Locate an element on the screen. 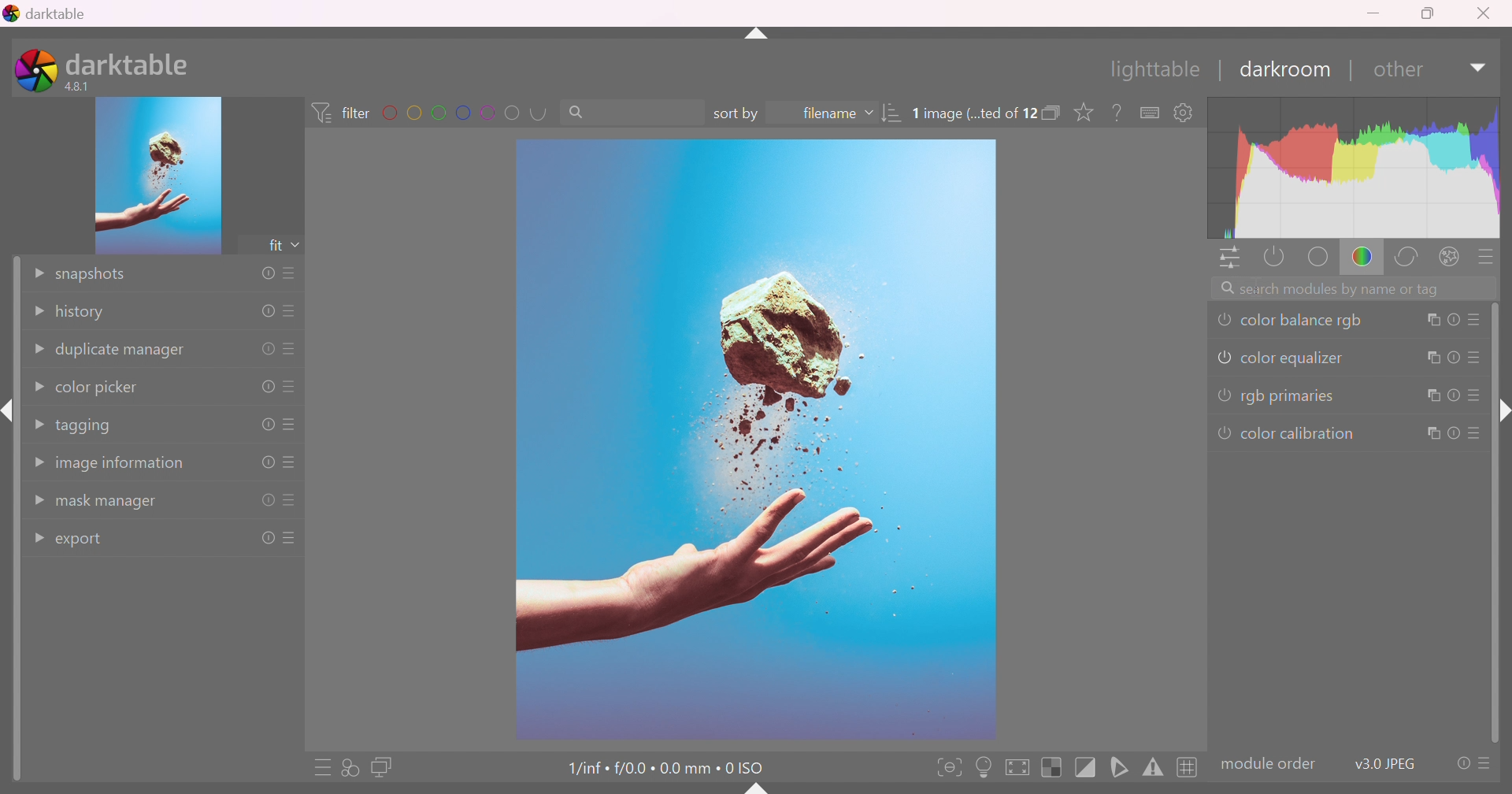  reset is located at coordinates (267, 311).